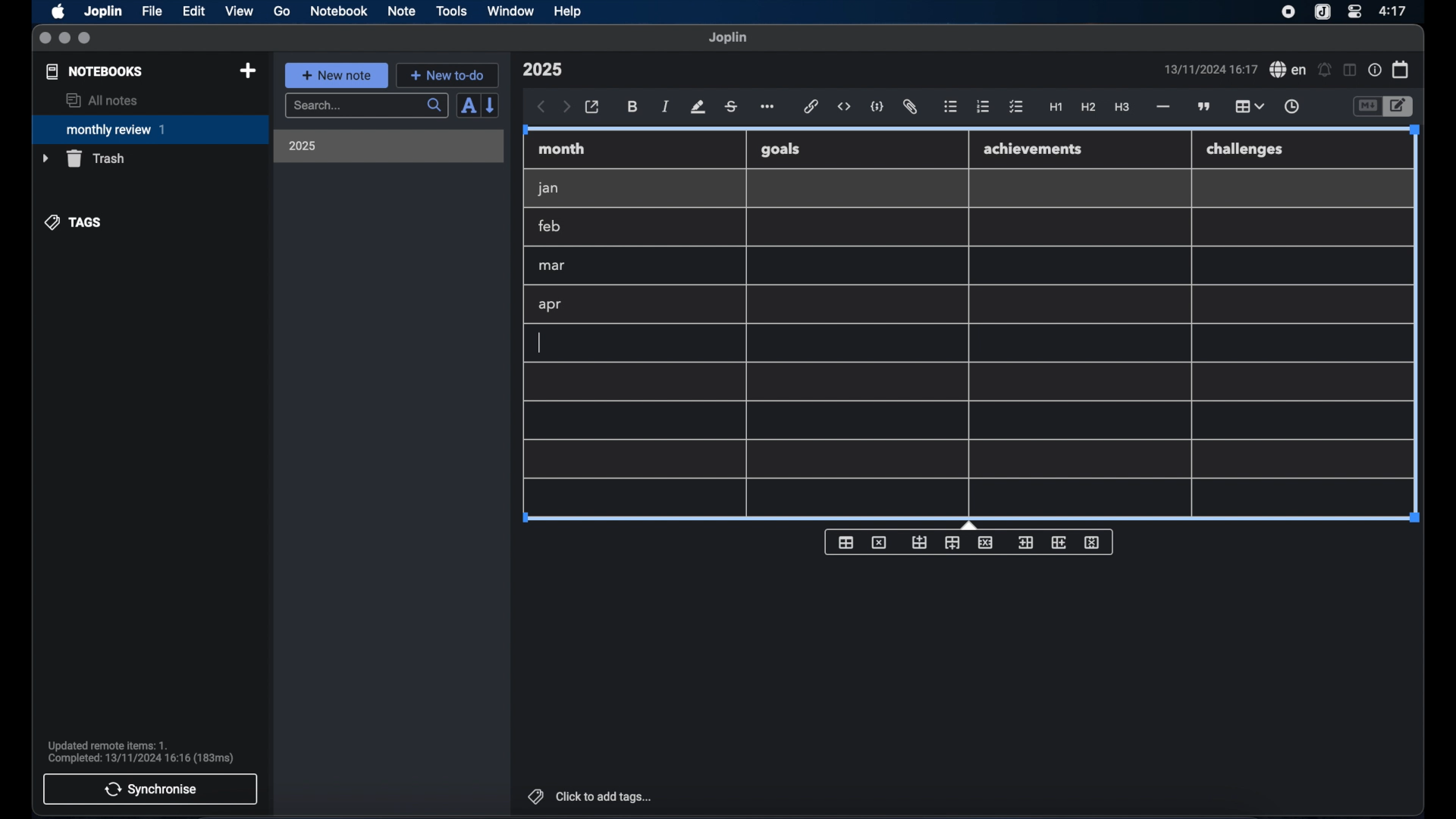 The height and width of the screenshot is (819, 1456). Describe the element at coordinates (366, 107) in the screenshot. I see `search bar` at that location.